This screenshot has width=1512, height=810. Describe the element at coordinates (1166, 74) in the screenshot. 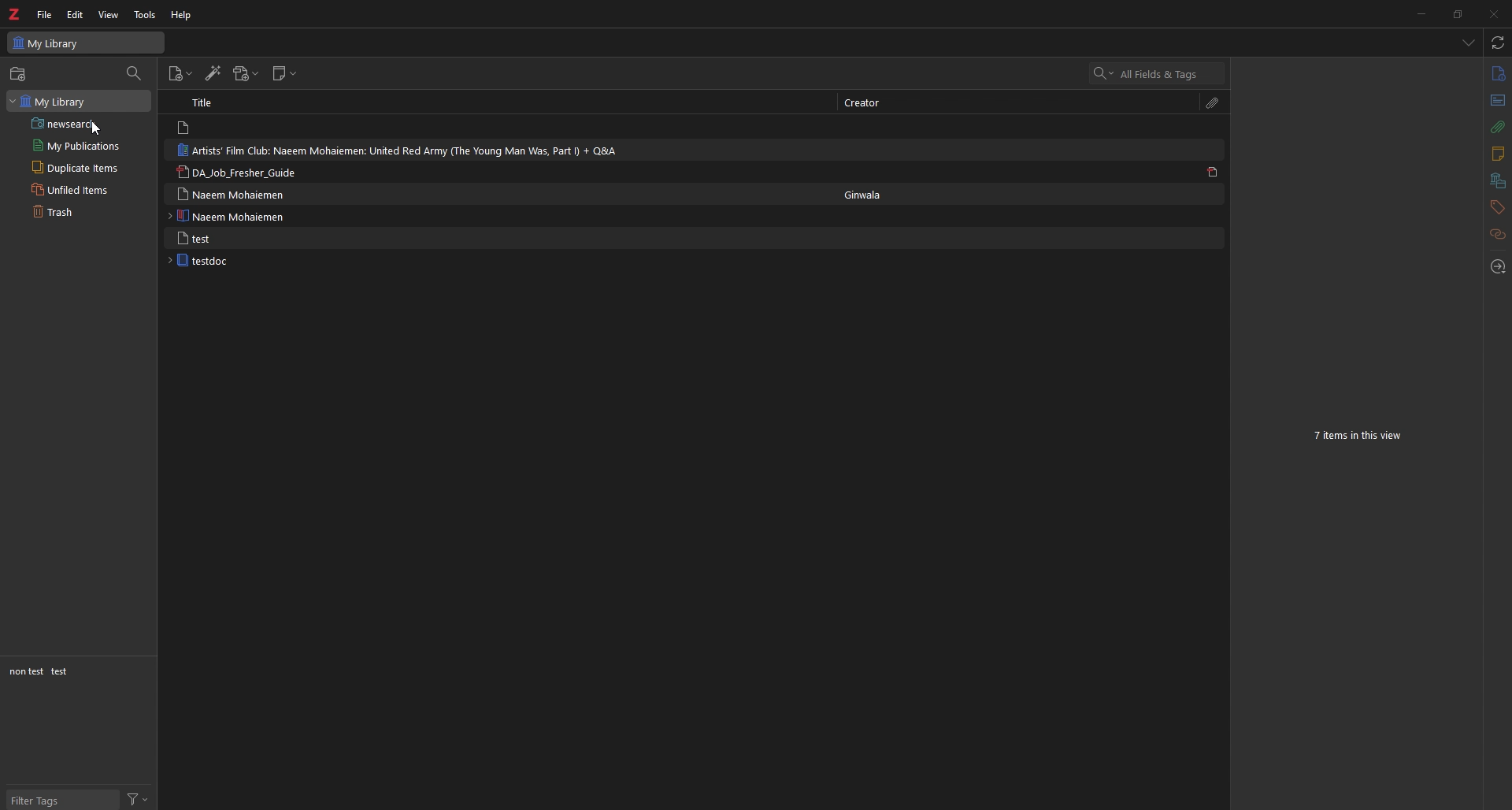

I see `search input` at that location.